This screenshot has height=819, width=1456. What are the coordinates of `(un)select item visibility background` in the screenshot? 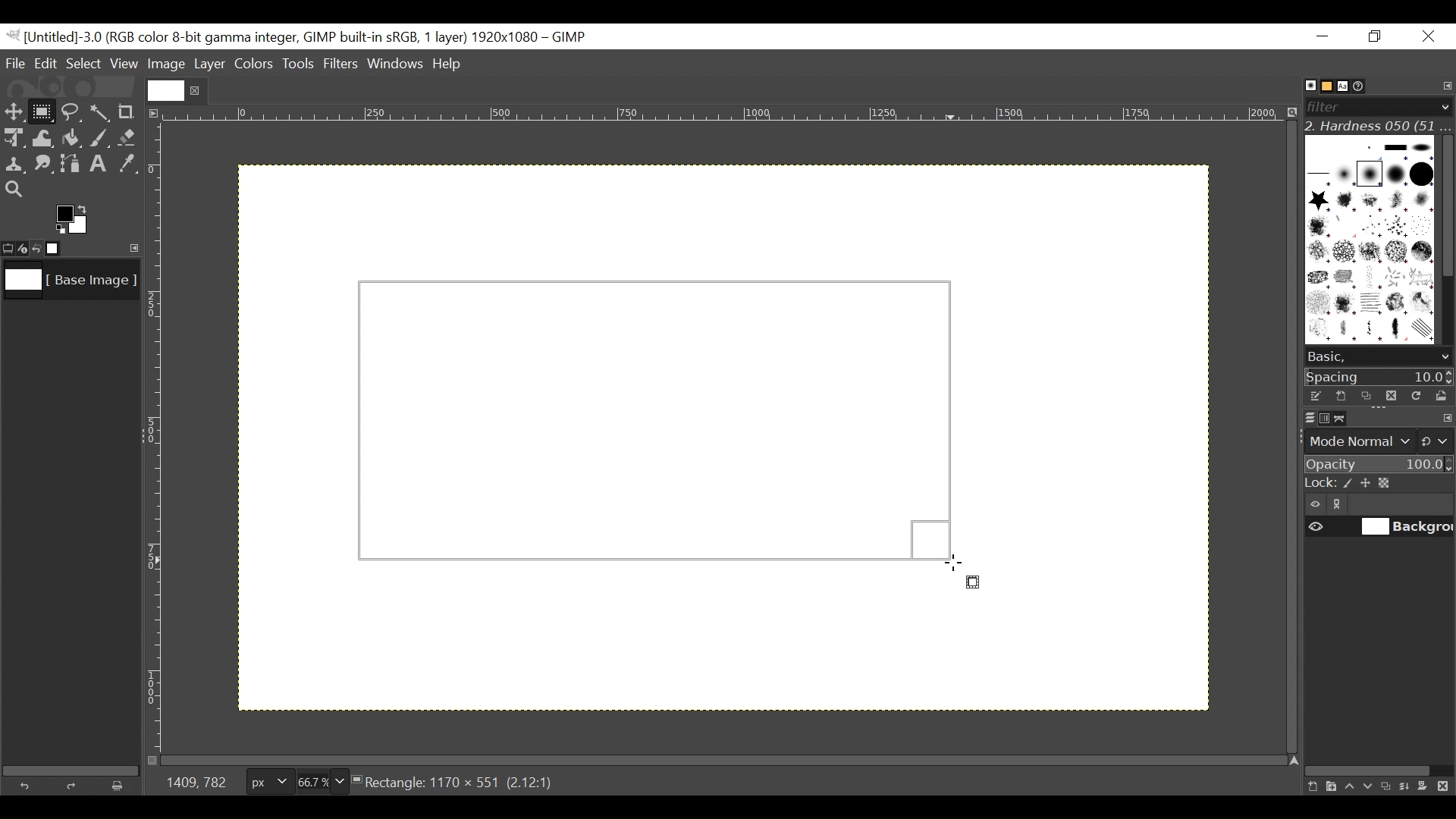 It's located at (1379, 529).